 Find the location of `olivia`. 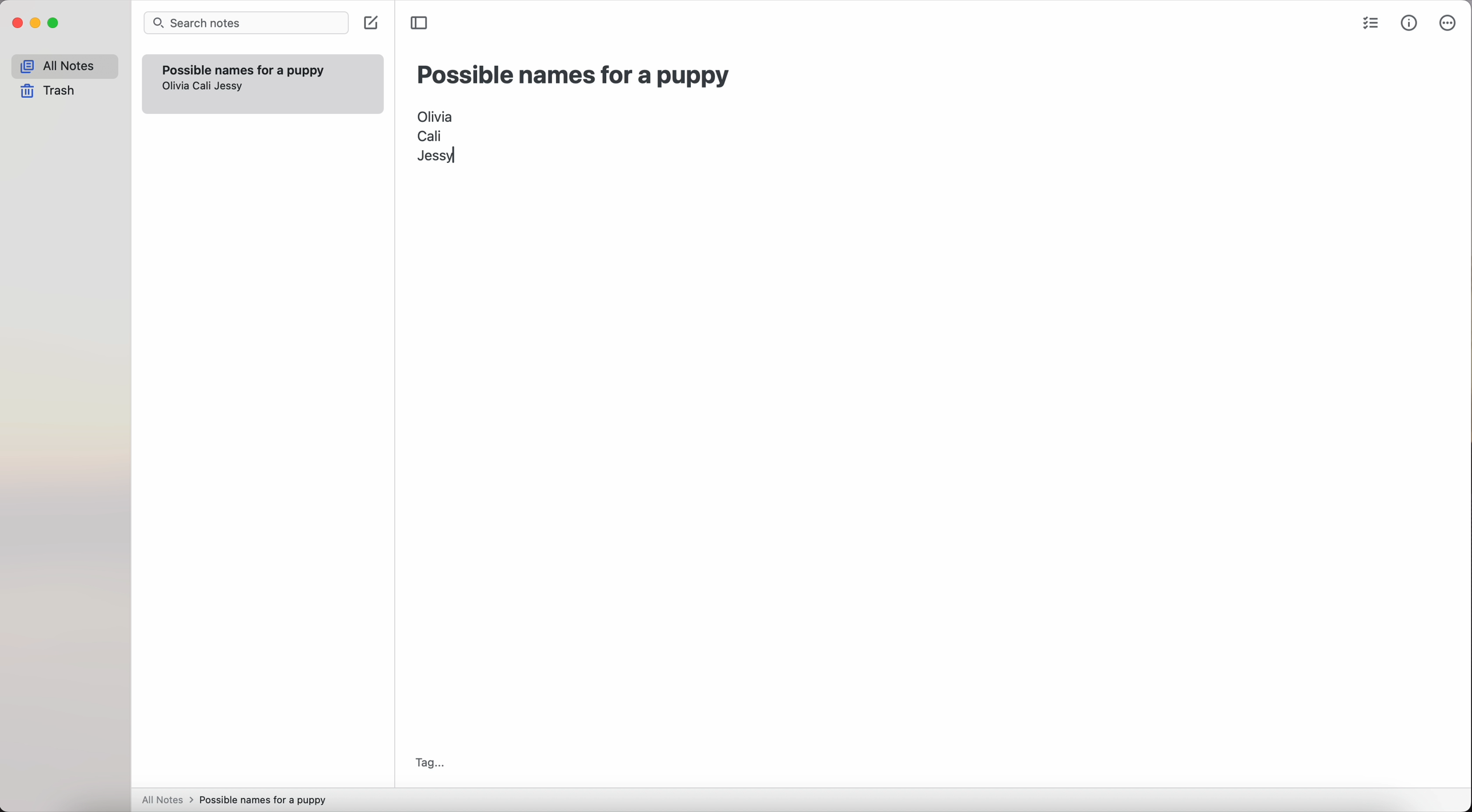

olivia is located at coordinates (177, 86).